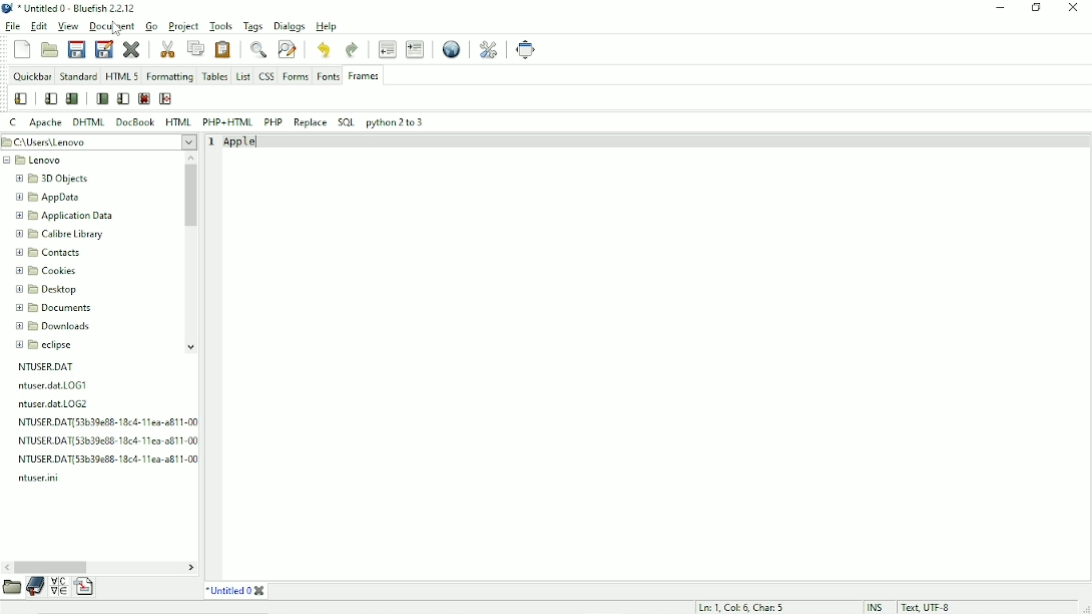 Image resolution: width=1092 pixels, height=614 pixels. I want to click on Edit, so click(37, 26).